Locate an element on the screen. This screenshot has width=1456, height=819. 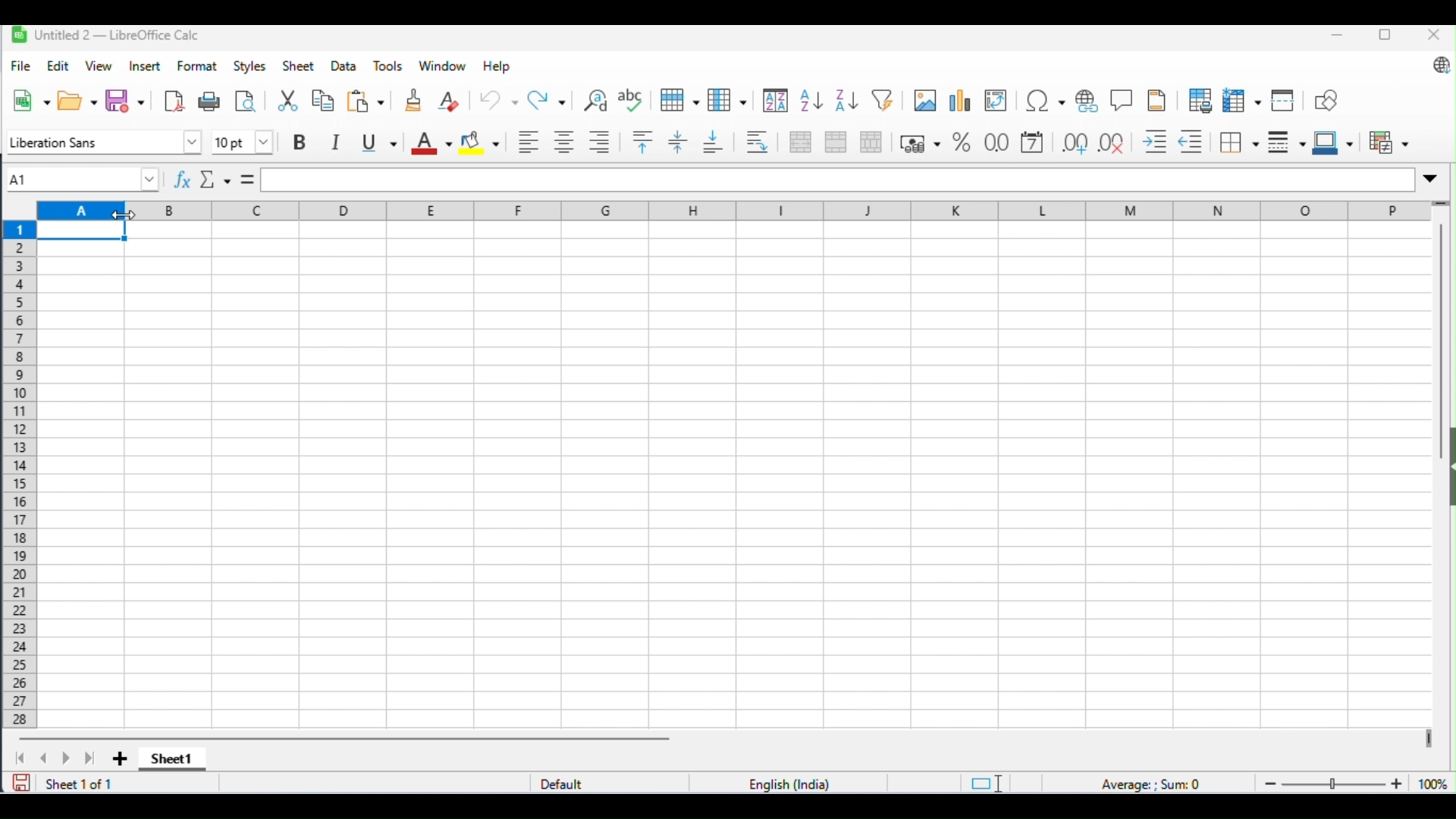
freeze rows and columns is located at coordinates (1242, 101).